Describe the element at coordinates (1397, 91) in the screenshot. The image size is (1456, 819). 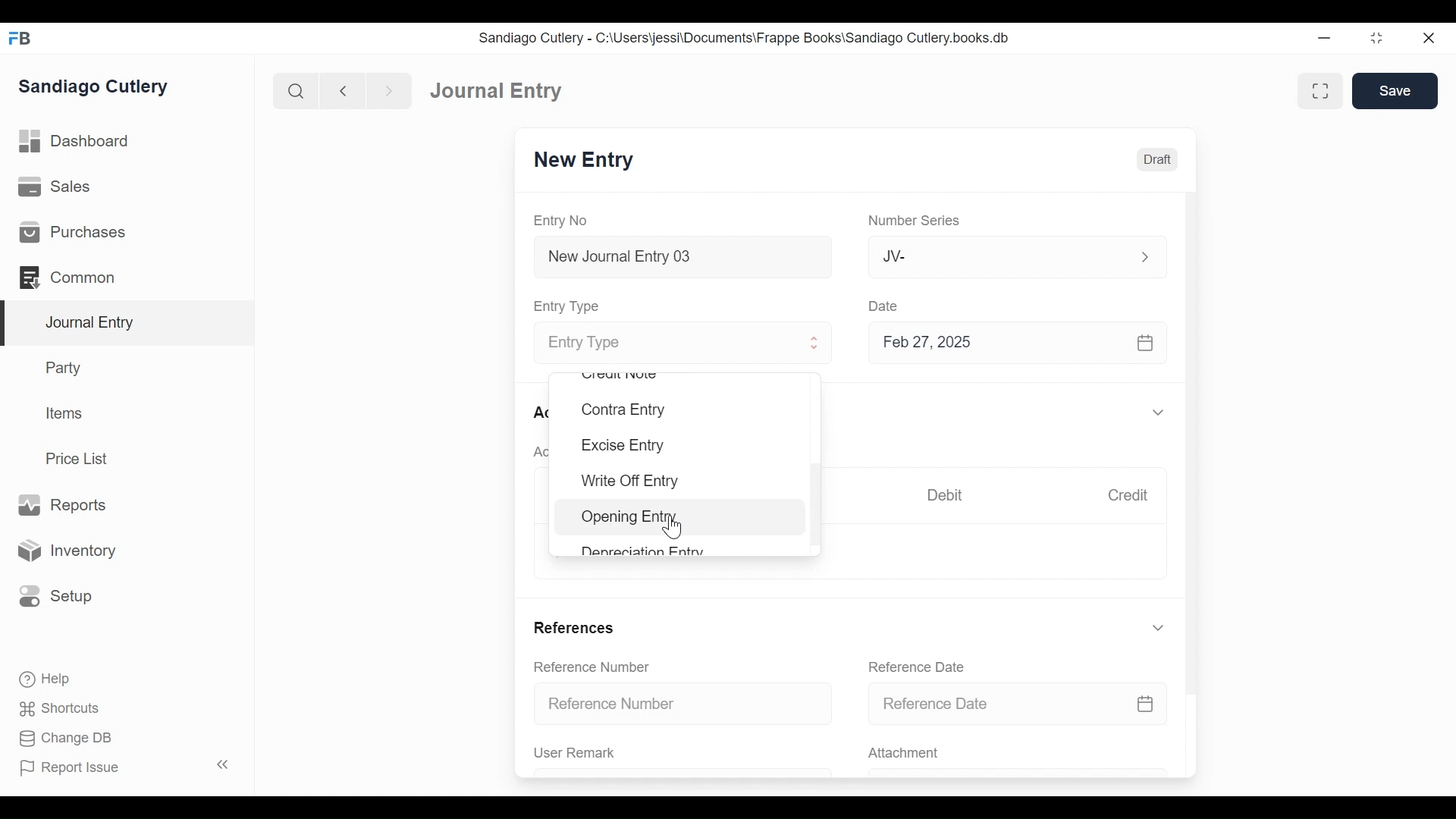
I see `Save` at that location.